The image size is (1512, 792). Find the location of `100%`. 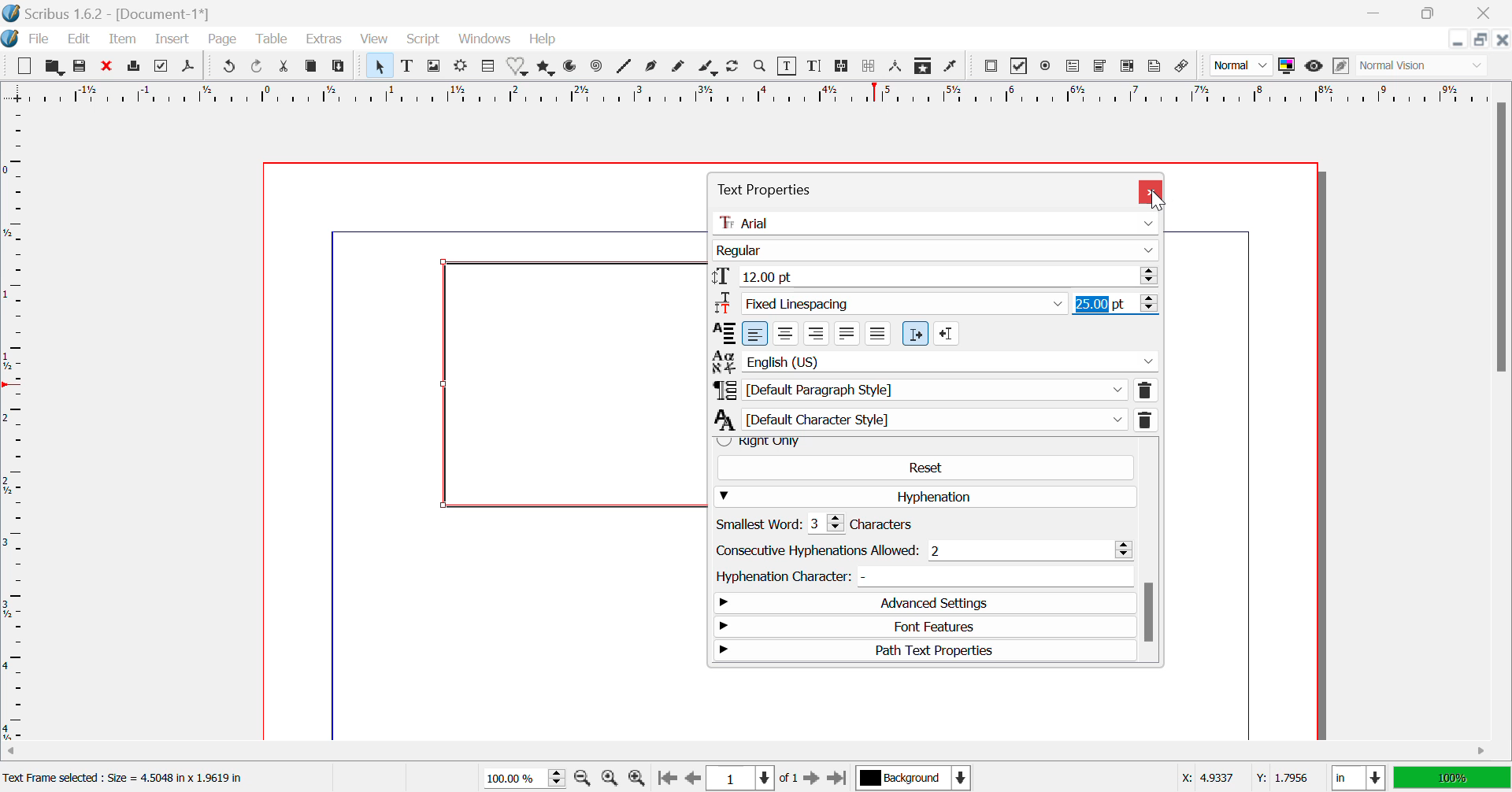

100% is located at coordinates (1451, 778).